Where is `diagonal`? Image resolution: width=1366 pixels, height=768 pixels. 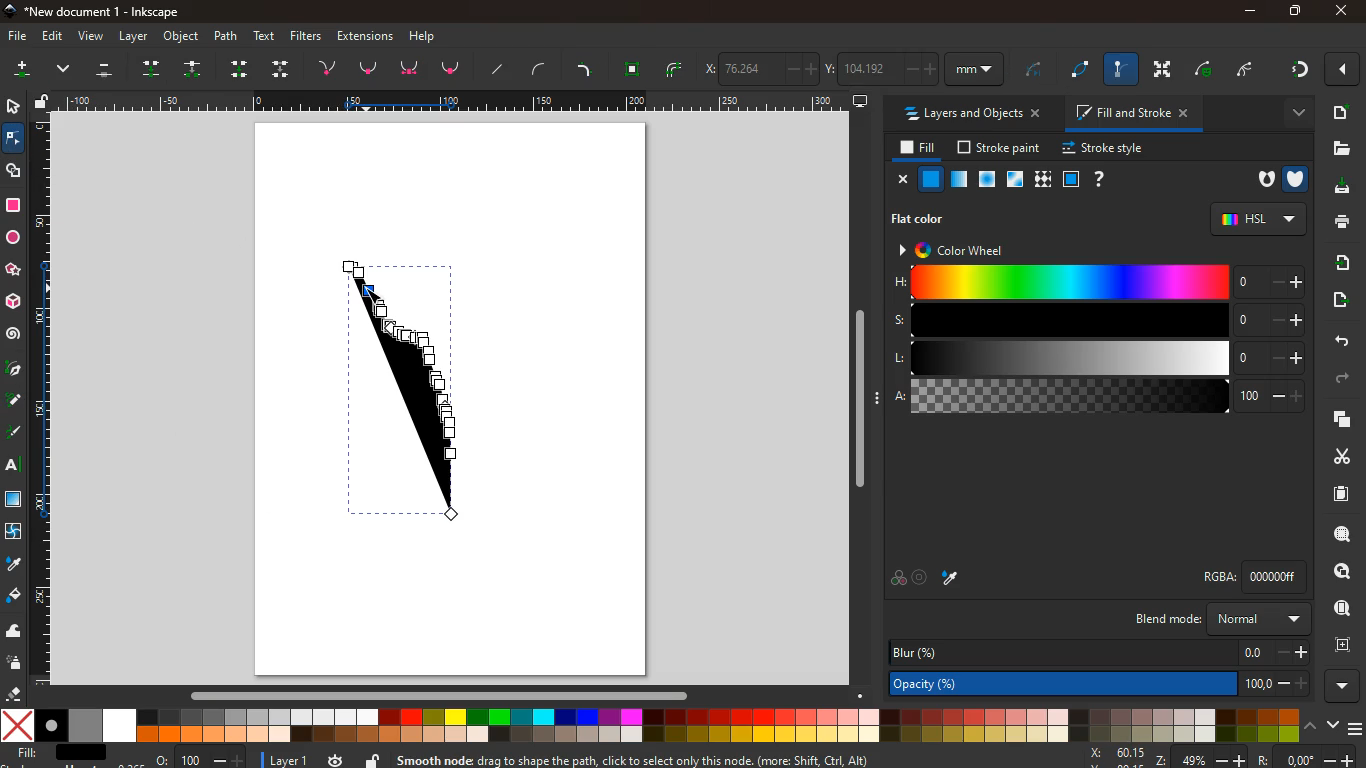
diagonal is located at coordinates (500, 69).